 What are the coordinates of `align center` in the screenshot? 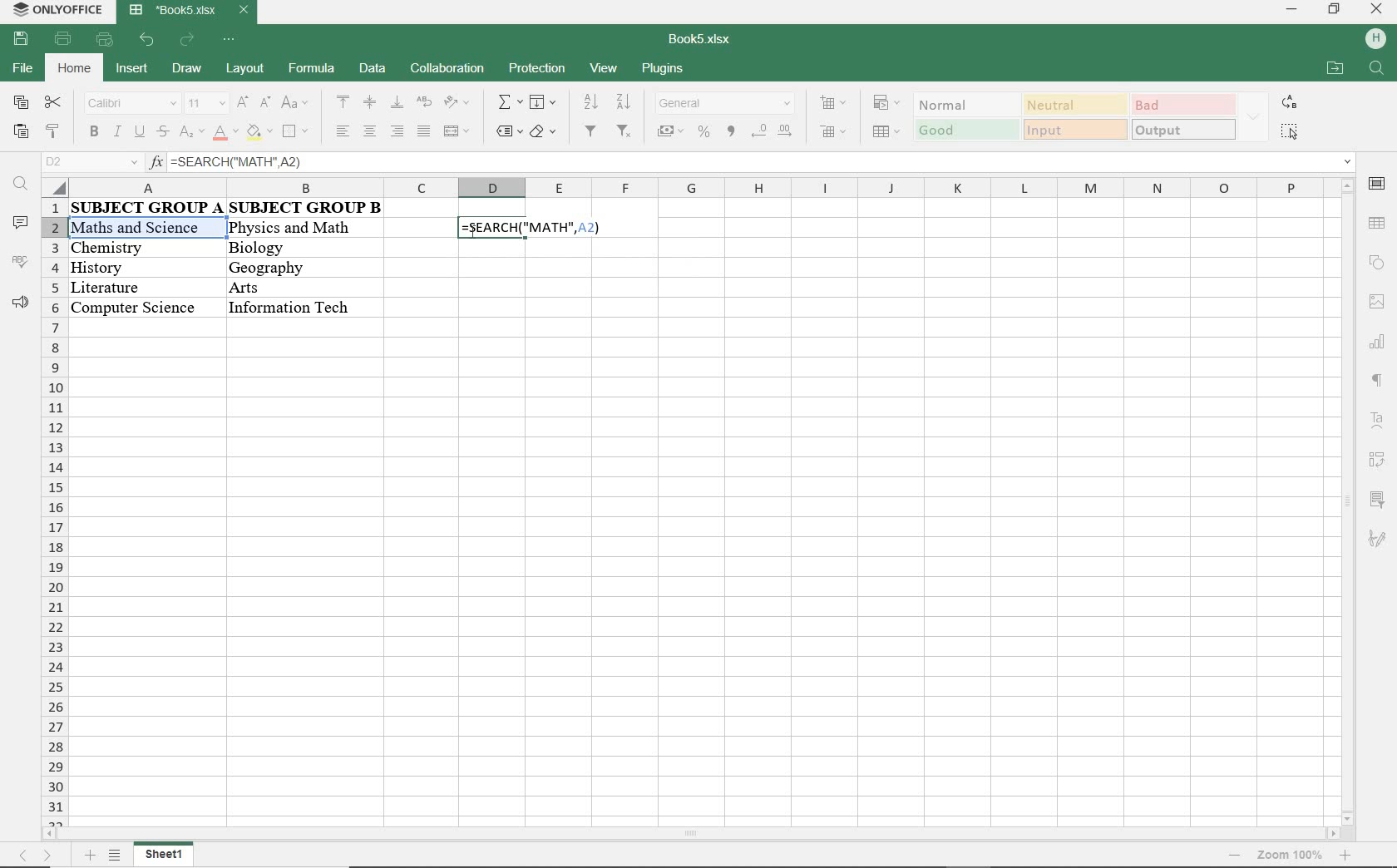 It's located at (369, 131).